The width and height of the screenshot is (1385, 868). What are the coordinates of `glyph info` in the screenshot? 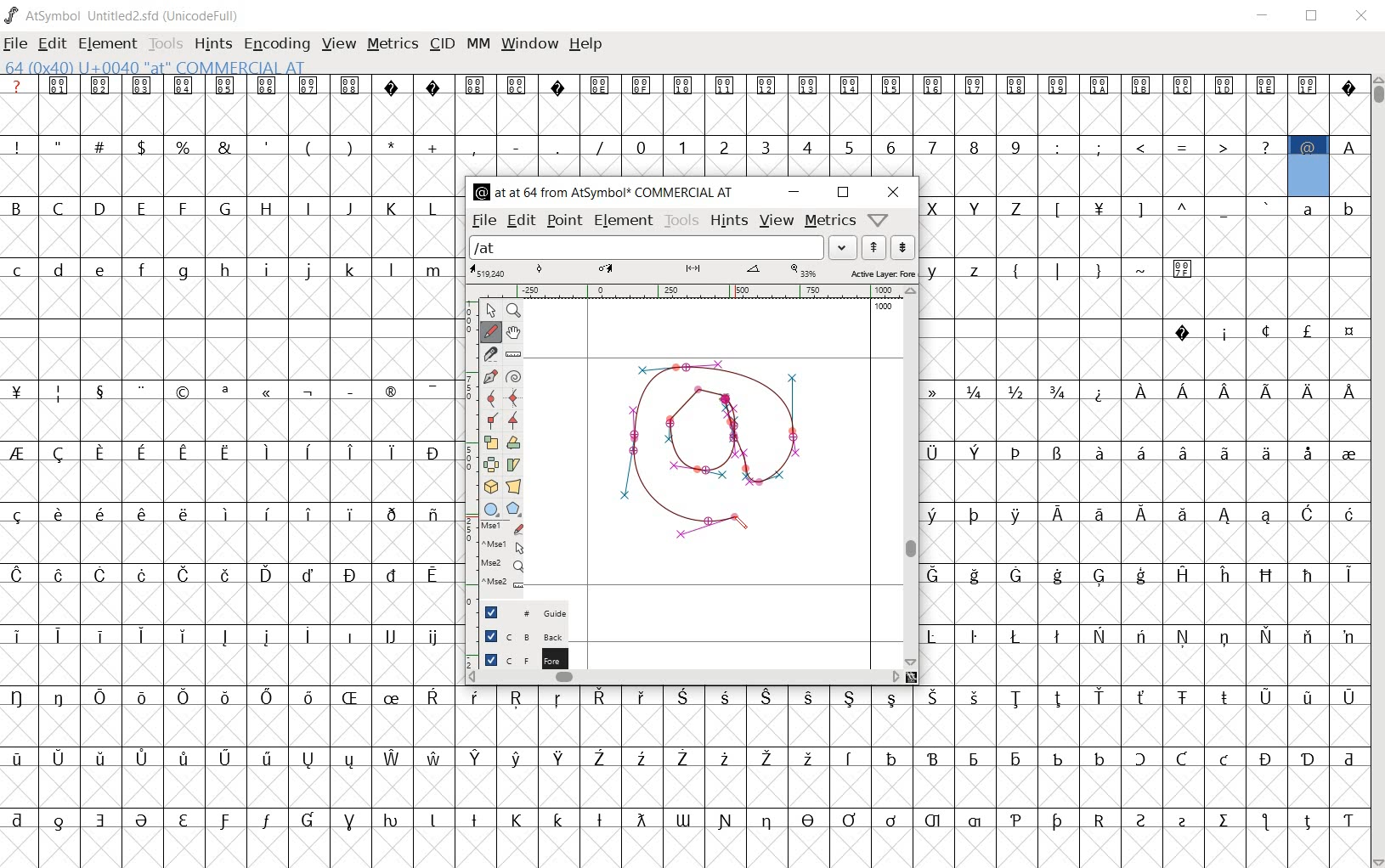 It's located at (604, 190).